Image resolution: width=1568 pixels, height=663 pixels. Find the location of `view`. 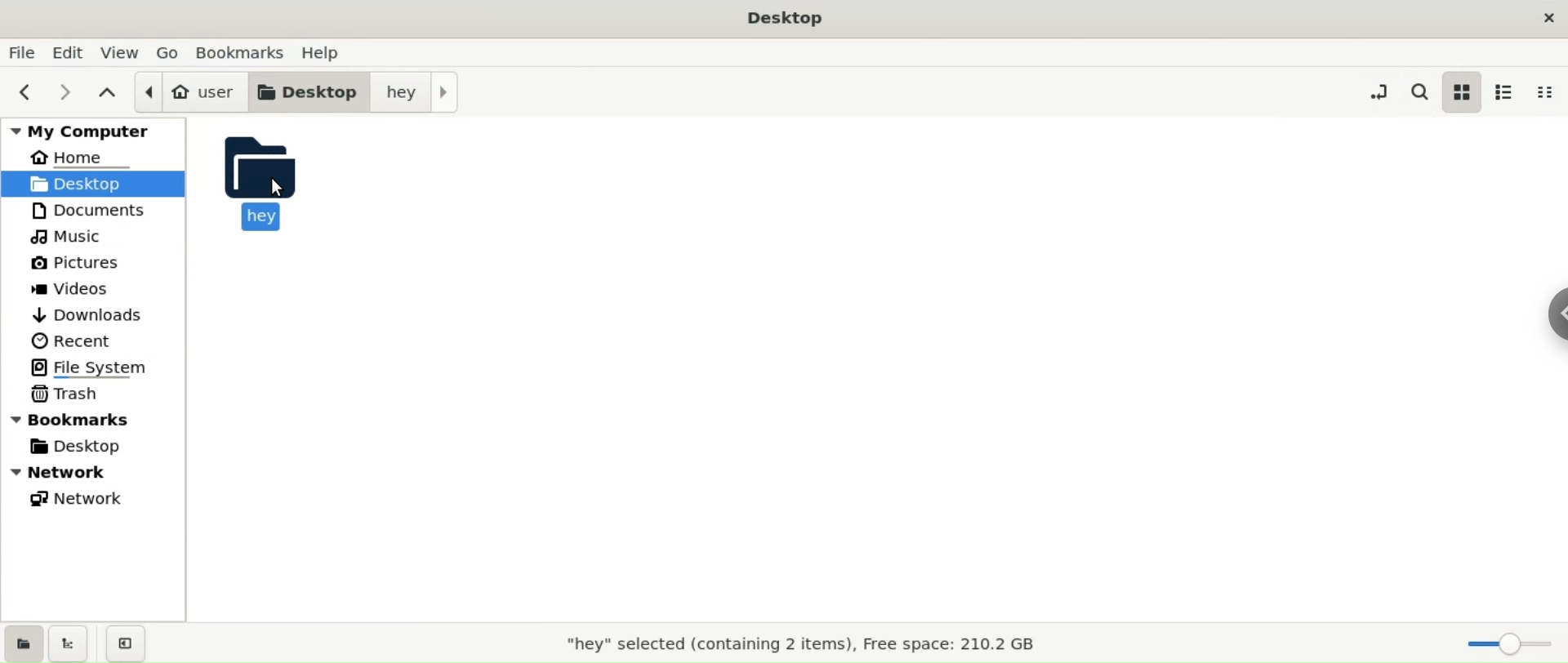

view is located at coordinates (126, 51).